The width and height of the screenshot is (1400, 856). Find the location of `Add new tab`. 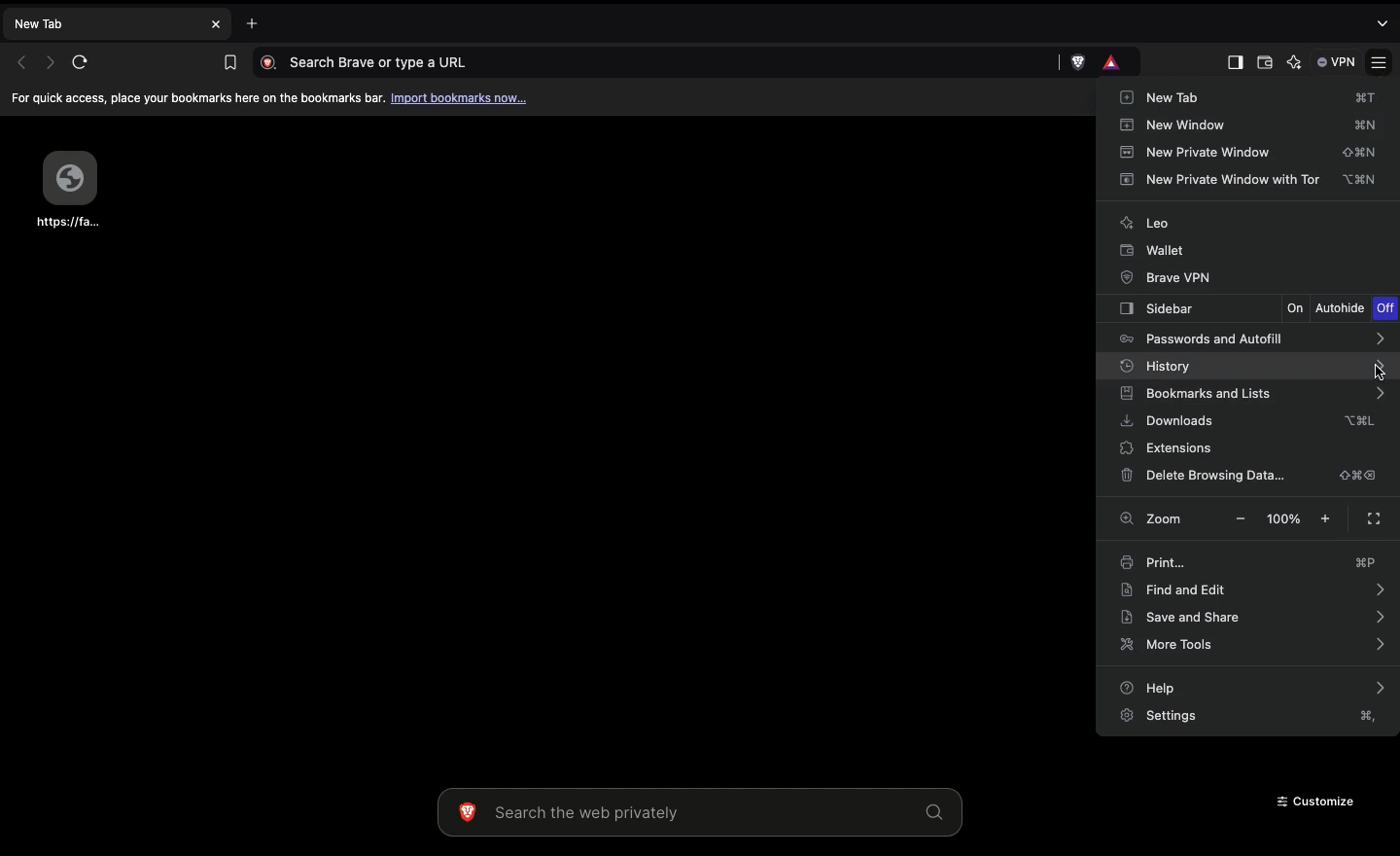

Add new tab is located at coordinates (256, 20).